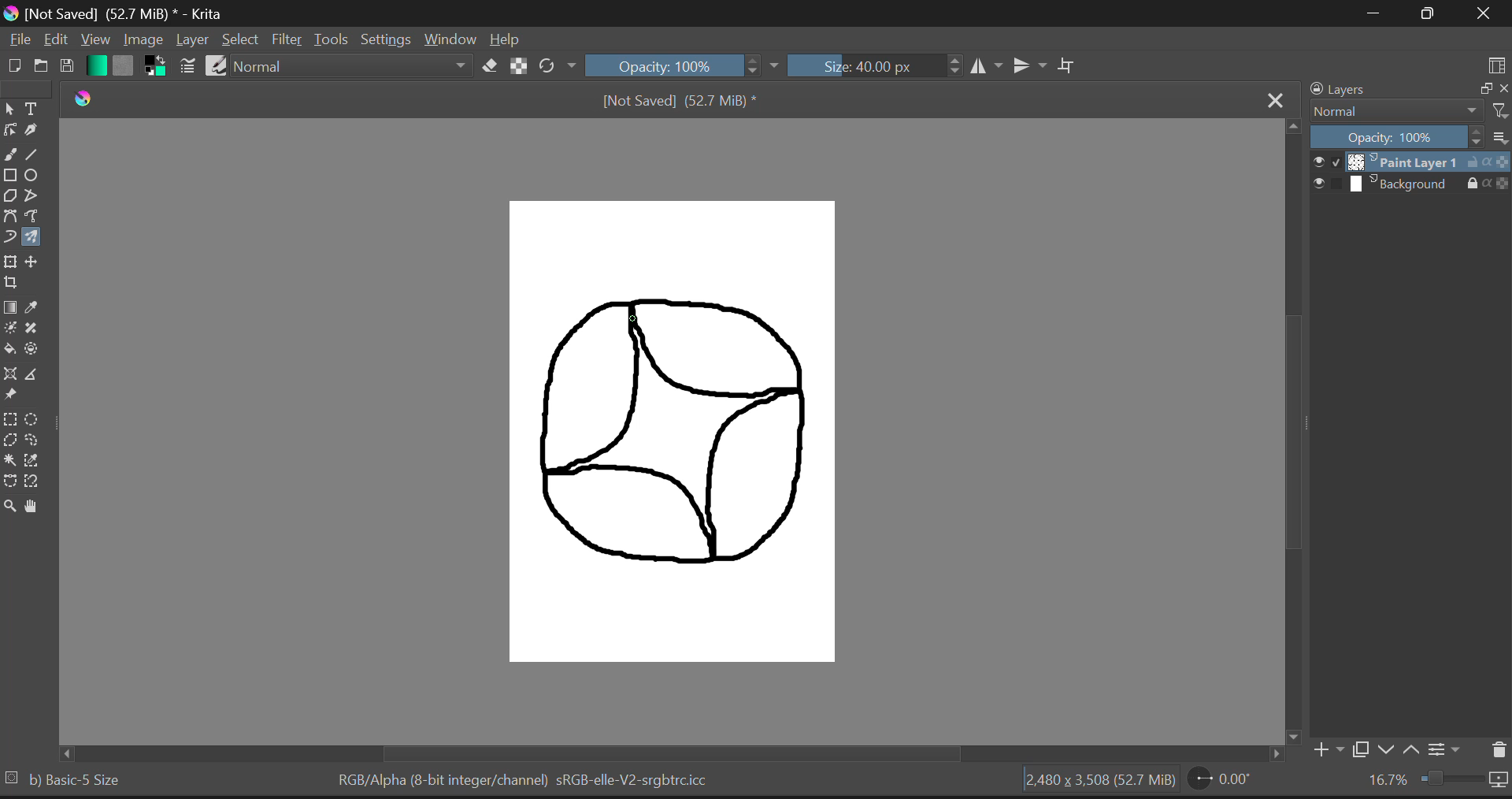  Describe the element at coordinates (126, 66) in the screenshot. I see `Pattern` at that location.